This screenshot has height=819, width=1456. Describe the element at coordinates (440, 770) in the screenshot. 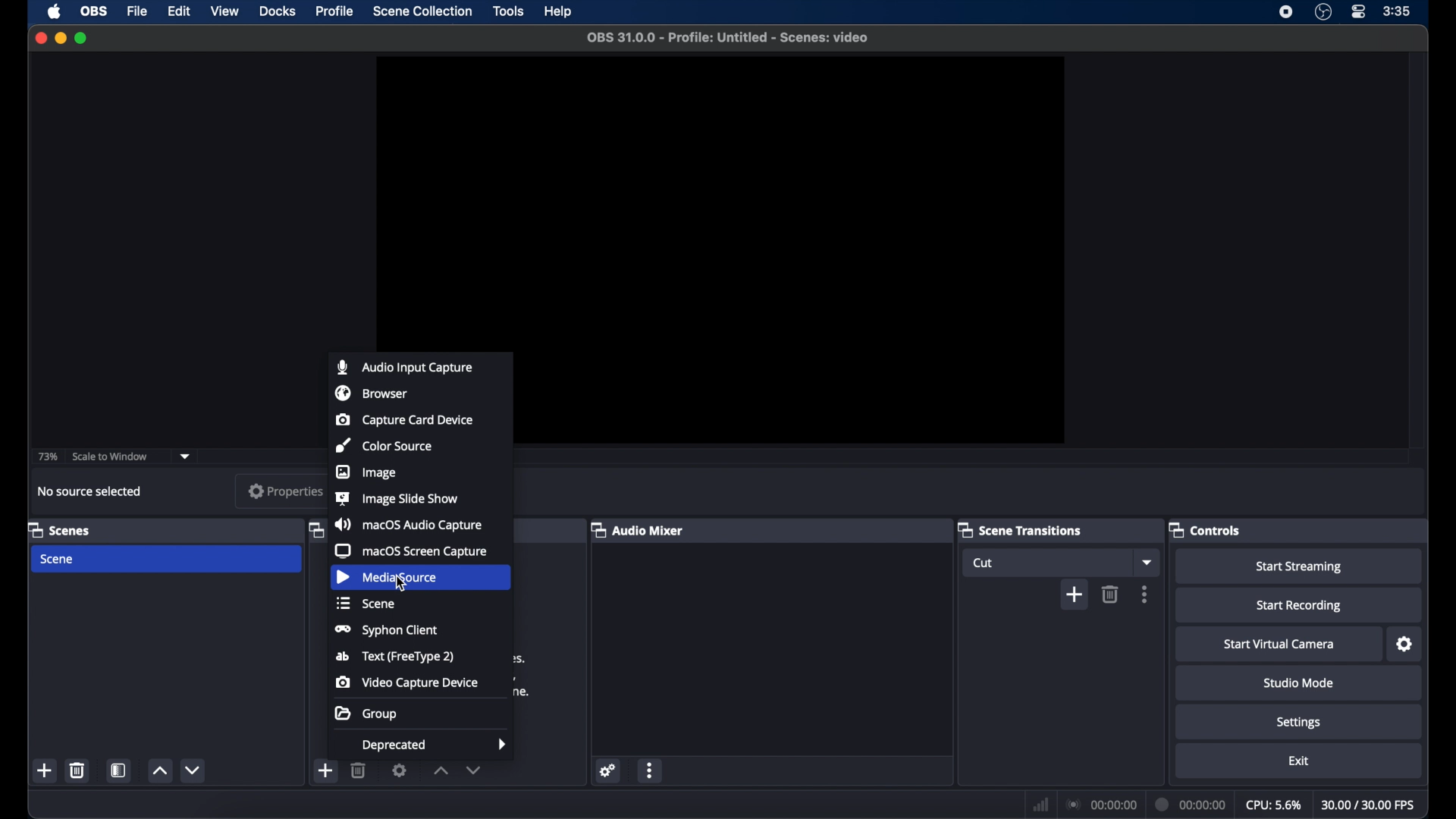

I see `increment` at that location.